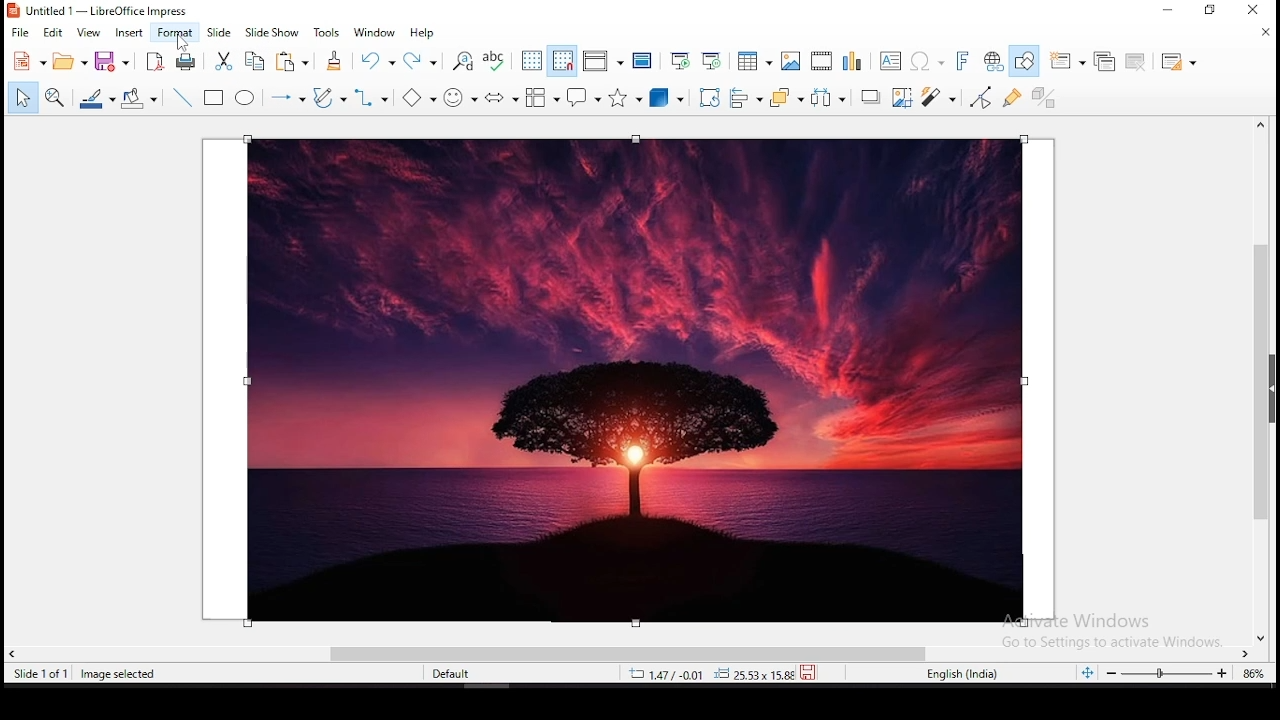  I want to click on lines and arrows, so click(285, 97).